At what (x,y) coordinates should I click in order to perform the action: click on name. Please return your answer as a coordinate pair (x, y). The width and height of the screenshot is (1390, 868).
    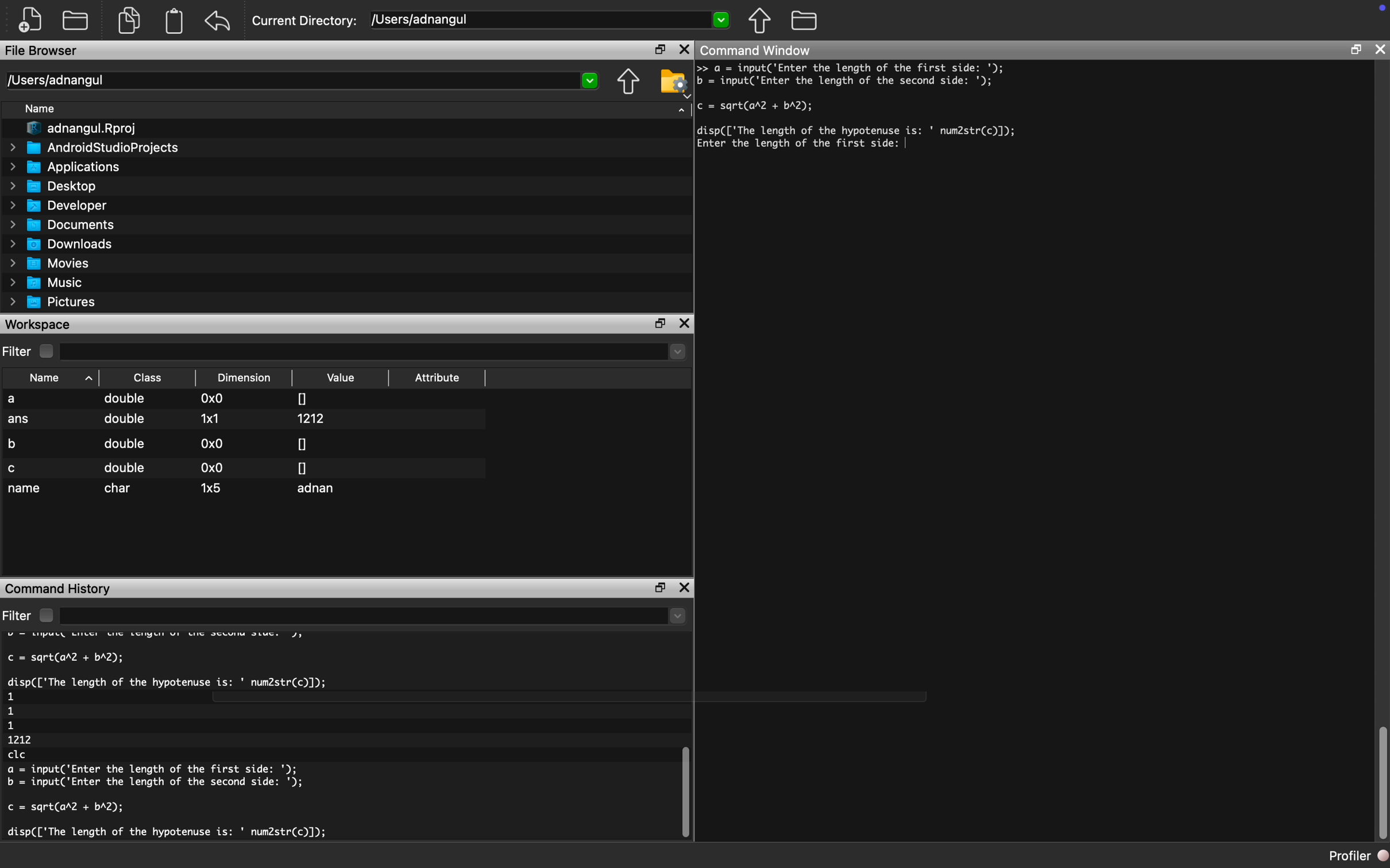
    Looking at the image, I should click on (26, 490).